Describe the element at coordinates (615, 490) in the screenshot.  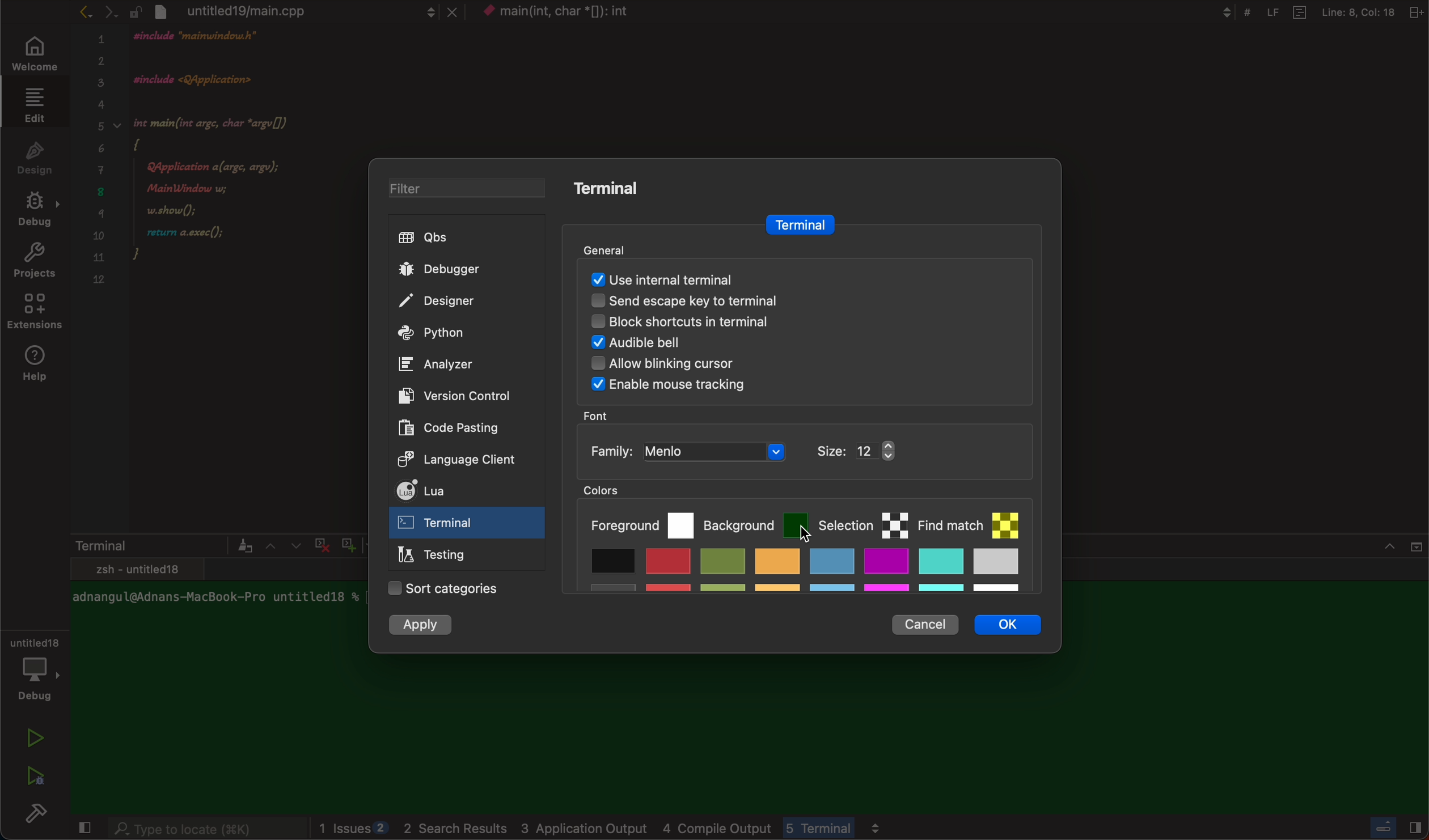
I see `colors` at that location.